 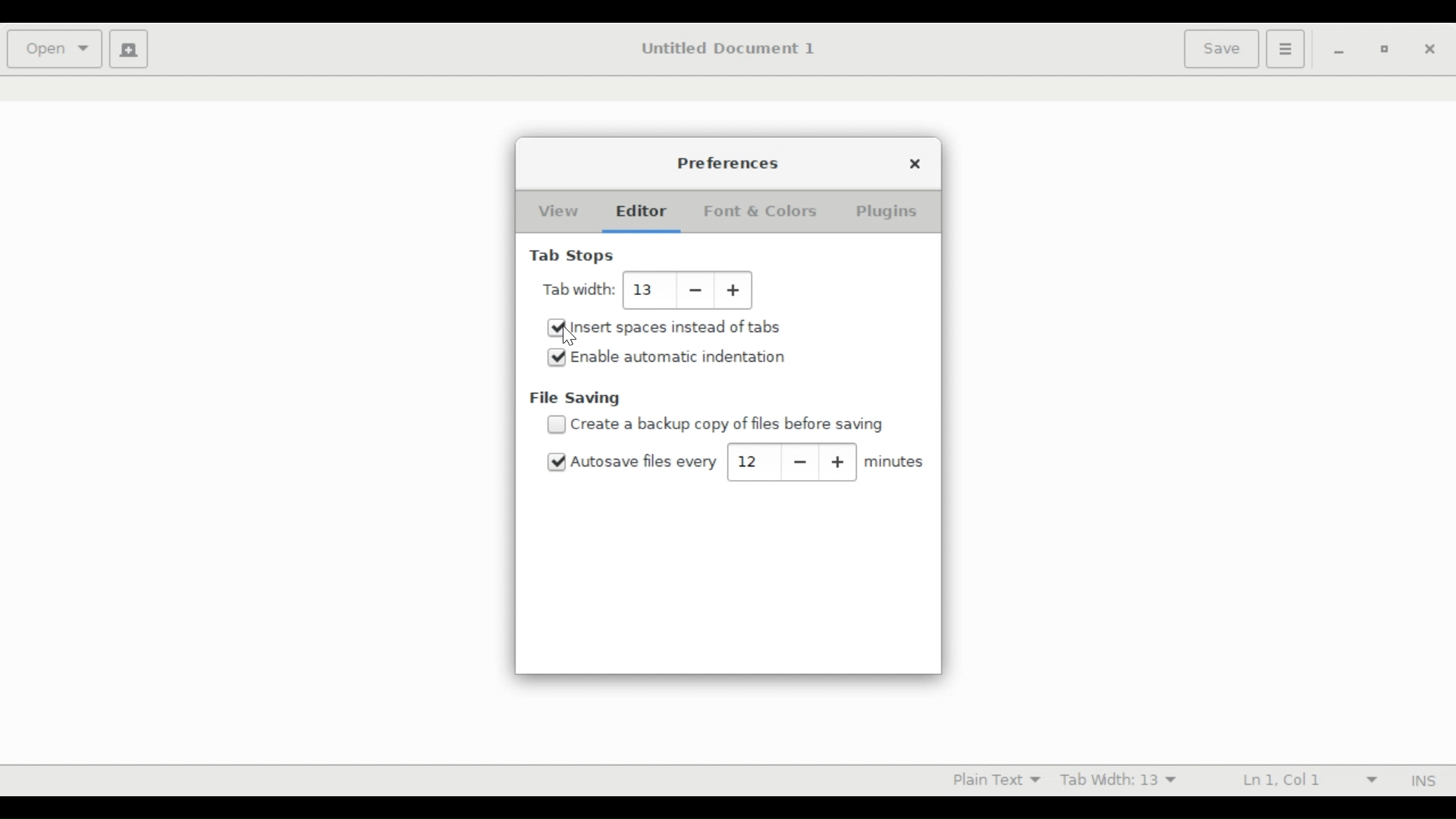 I want to click on Selected, so click(x=556, y=329).